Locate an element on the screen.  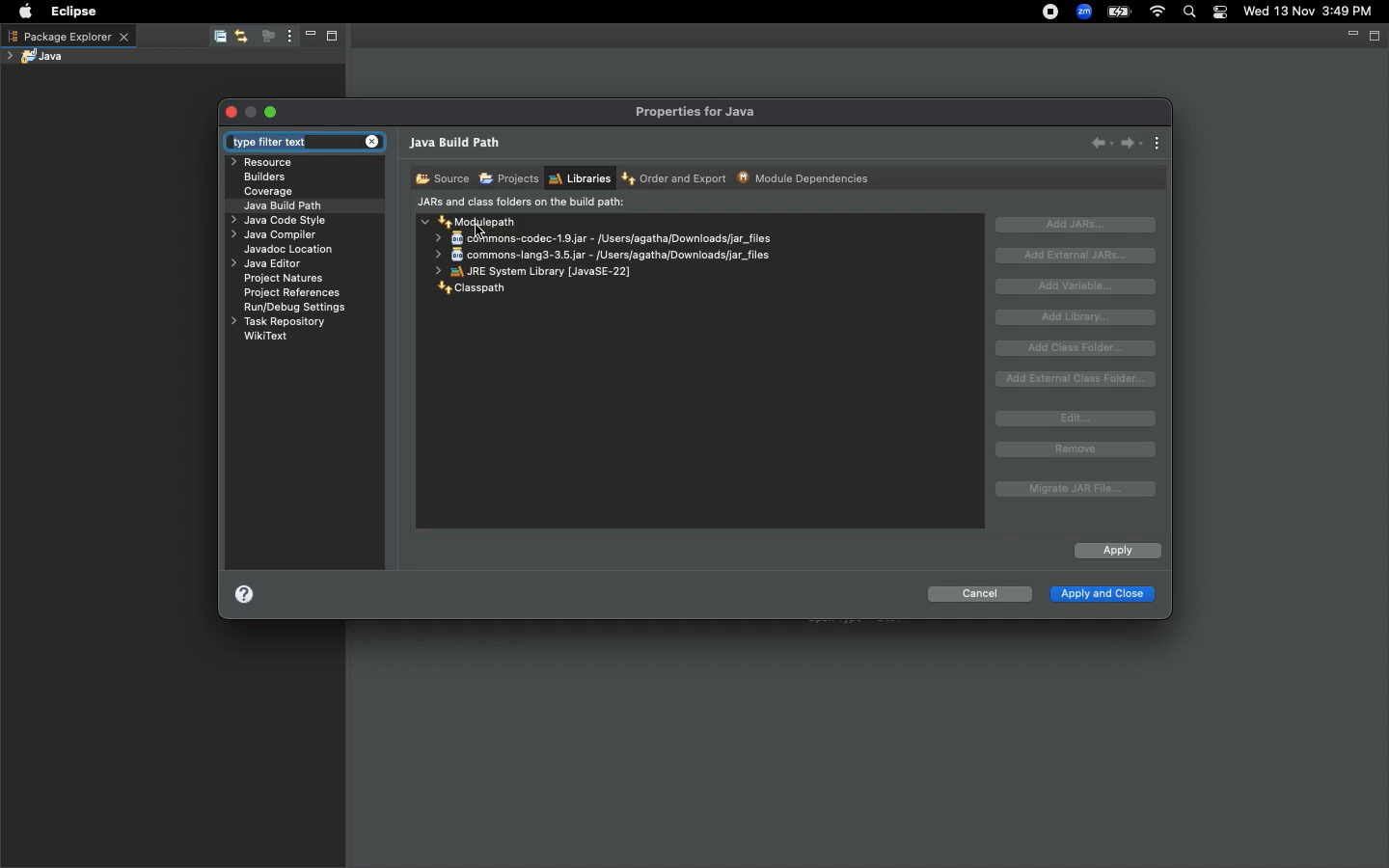
Source is located at coordinates (440, 177).